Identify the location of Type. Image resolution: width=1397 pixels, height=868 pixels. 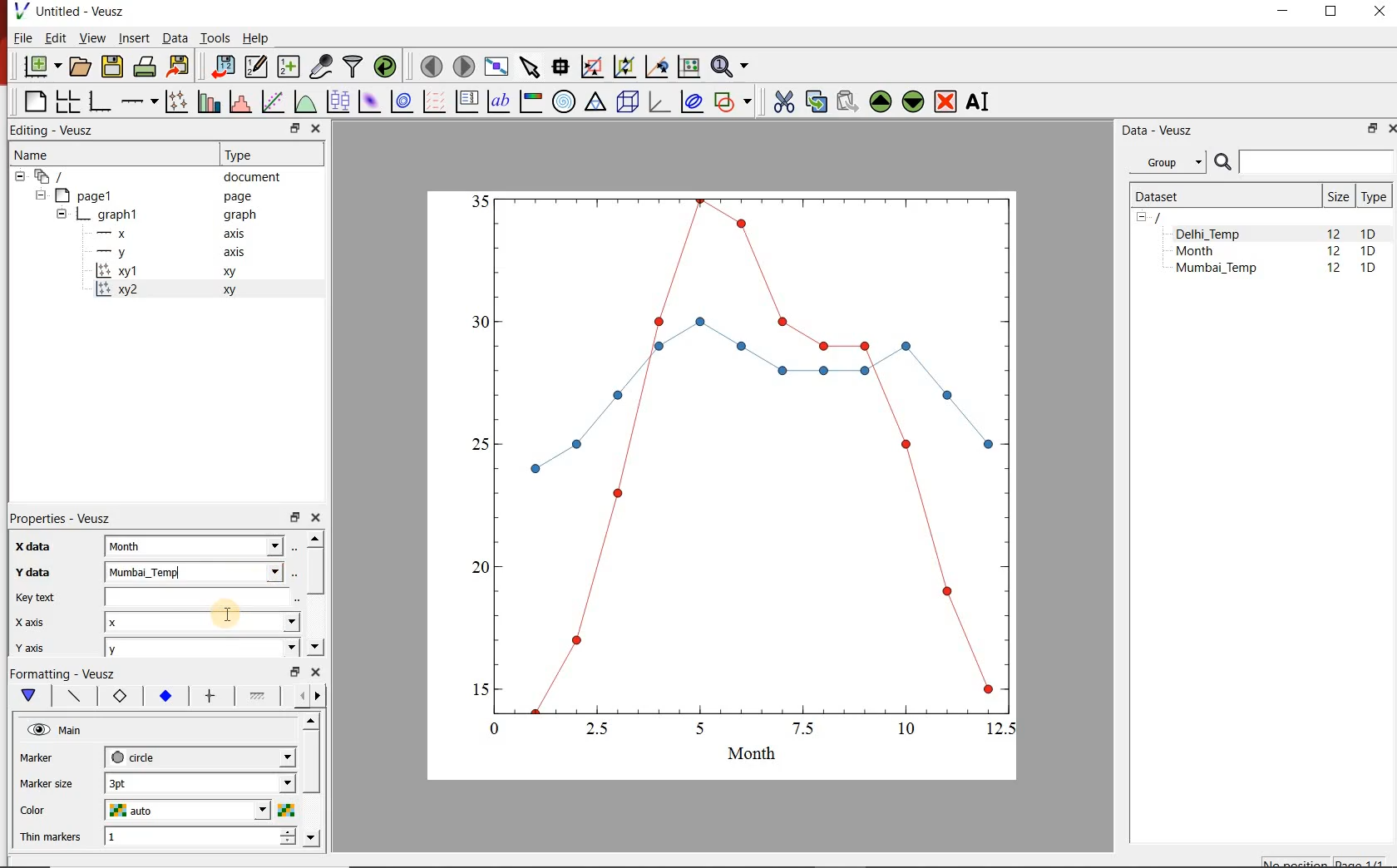
(1374, 196).